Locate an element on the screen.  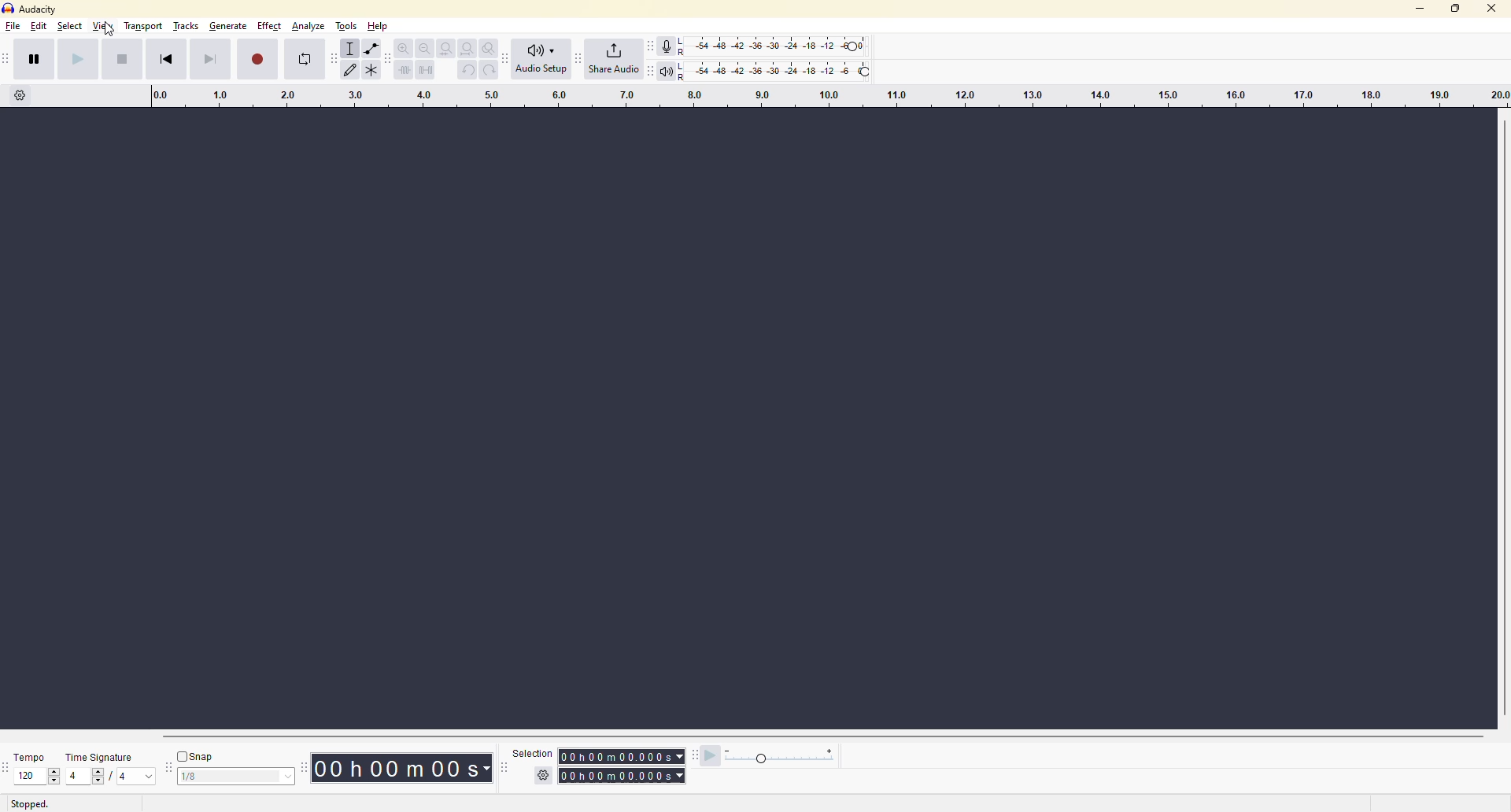
value is located at coordinates (87, 776).